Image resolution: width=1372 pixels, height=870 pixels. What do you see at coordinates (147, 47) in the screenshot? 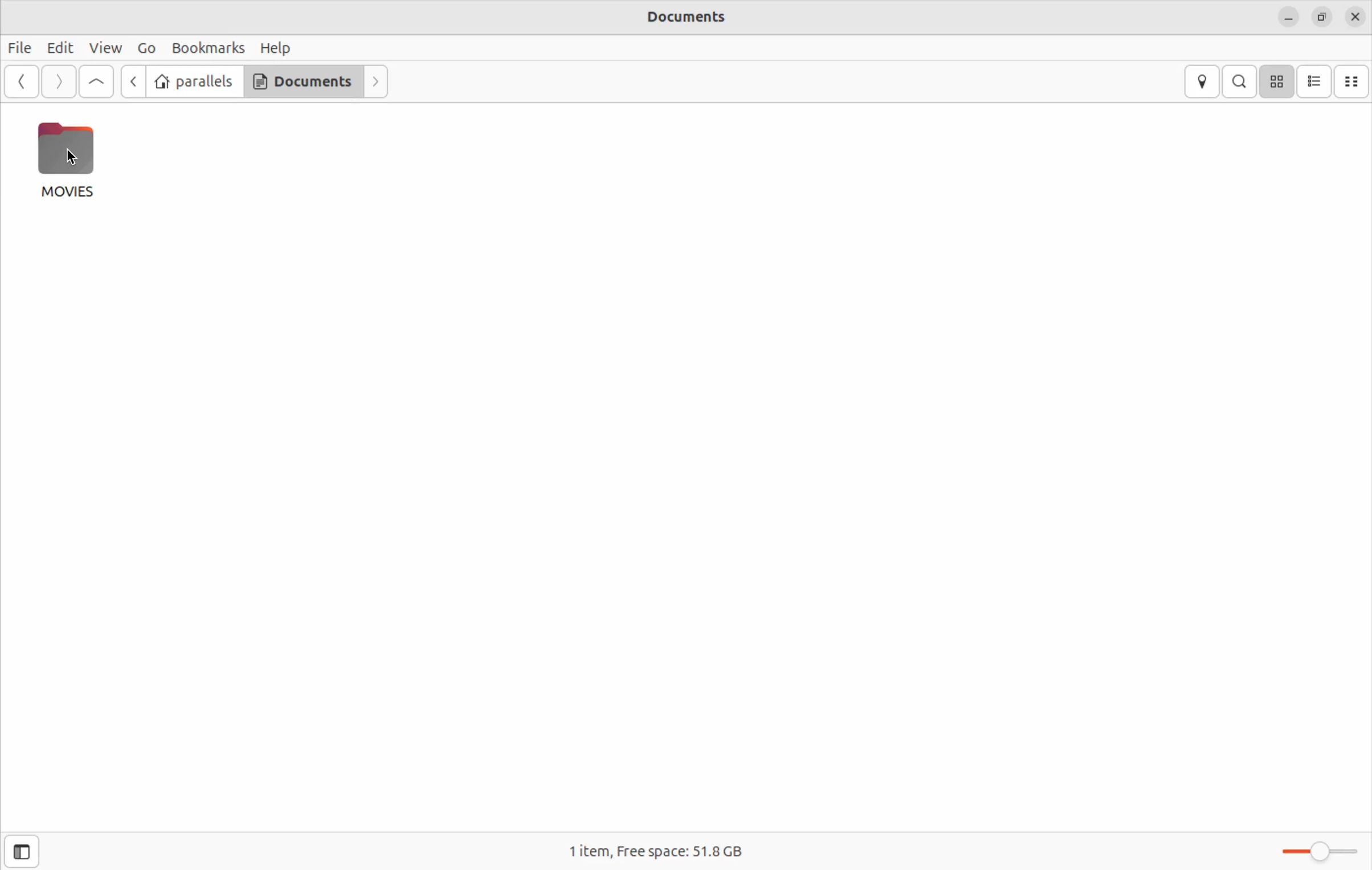
I see `GO` at bounding box center [147, 47].